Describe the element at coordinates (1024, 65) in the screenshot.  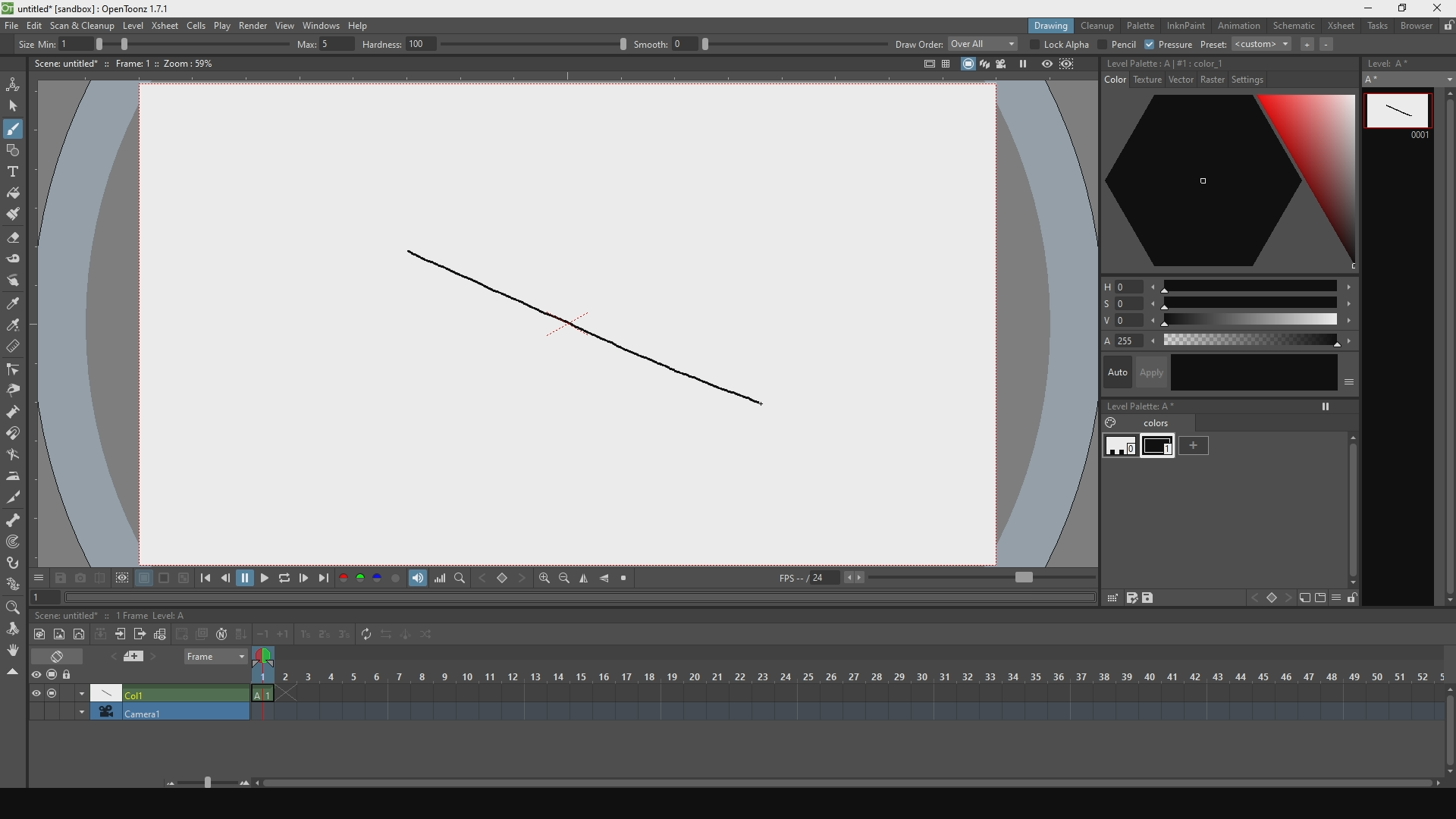
I see `pause` at that location.